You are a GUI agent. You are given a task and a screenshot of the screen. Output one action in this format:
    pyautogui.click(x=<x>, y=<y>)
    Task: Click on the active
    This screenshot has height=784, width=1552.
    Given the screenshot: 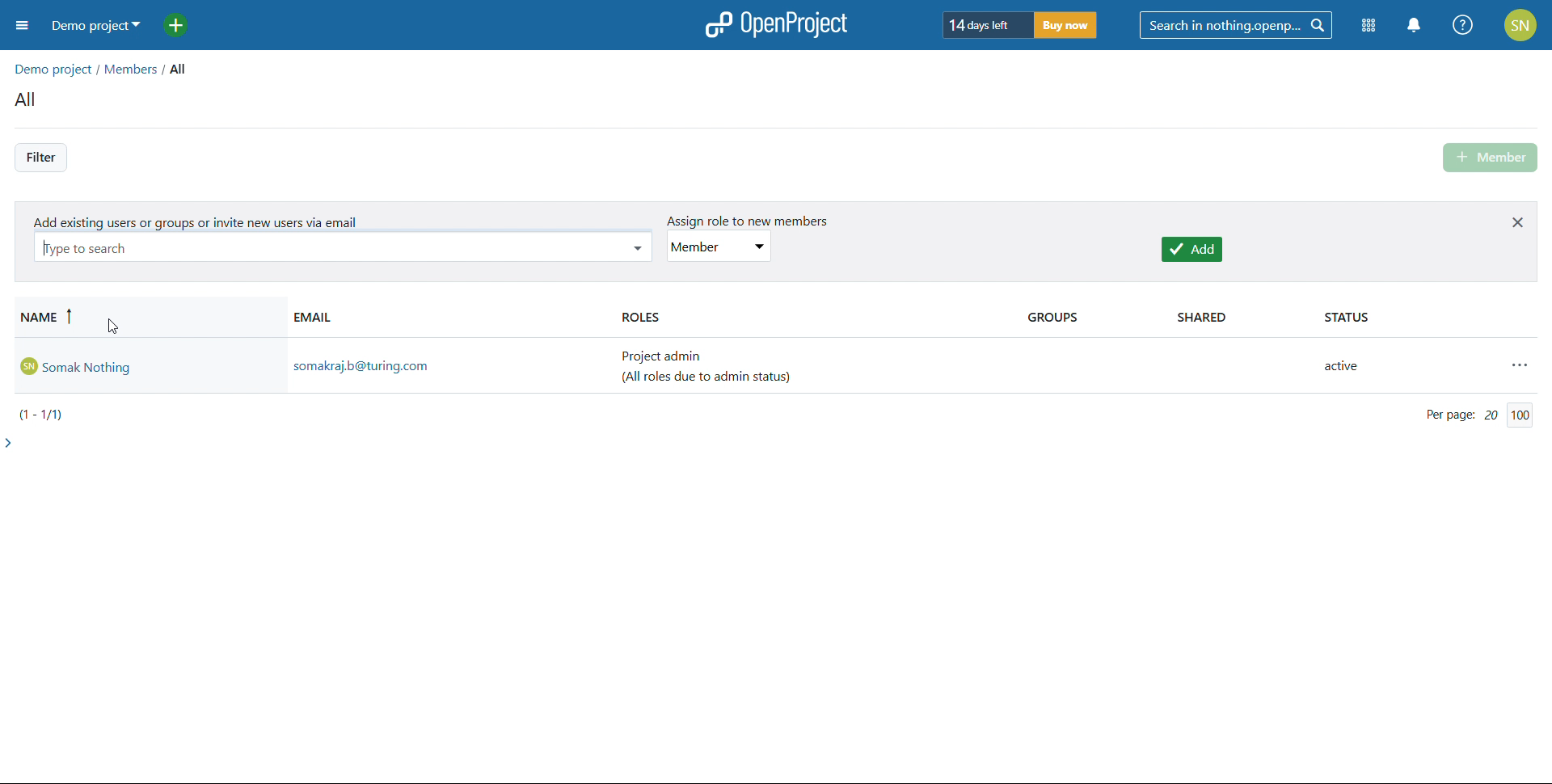 What is the action you would take?
    pyautogui.click(x=1350, y=368)
    